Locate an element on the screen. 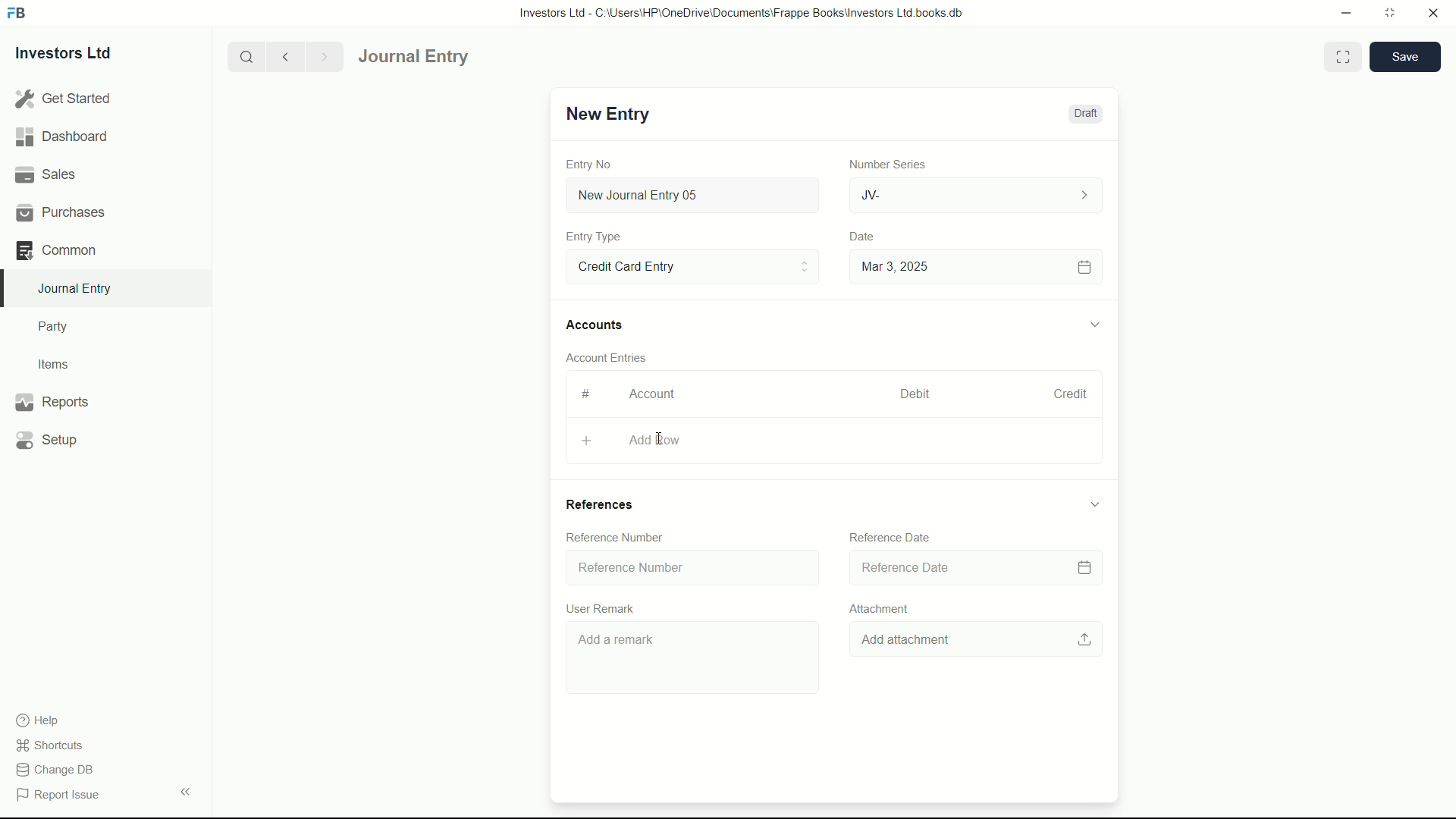 This screenshot has height=819, width=1456. User Remark is located at coordinates (598, 608).